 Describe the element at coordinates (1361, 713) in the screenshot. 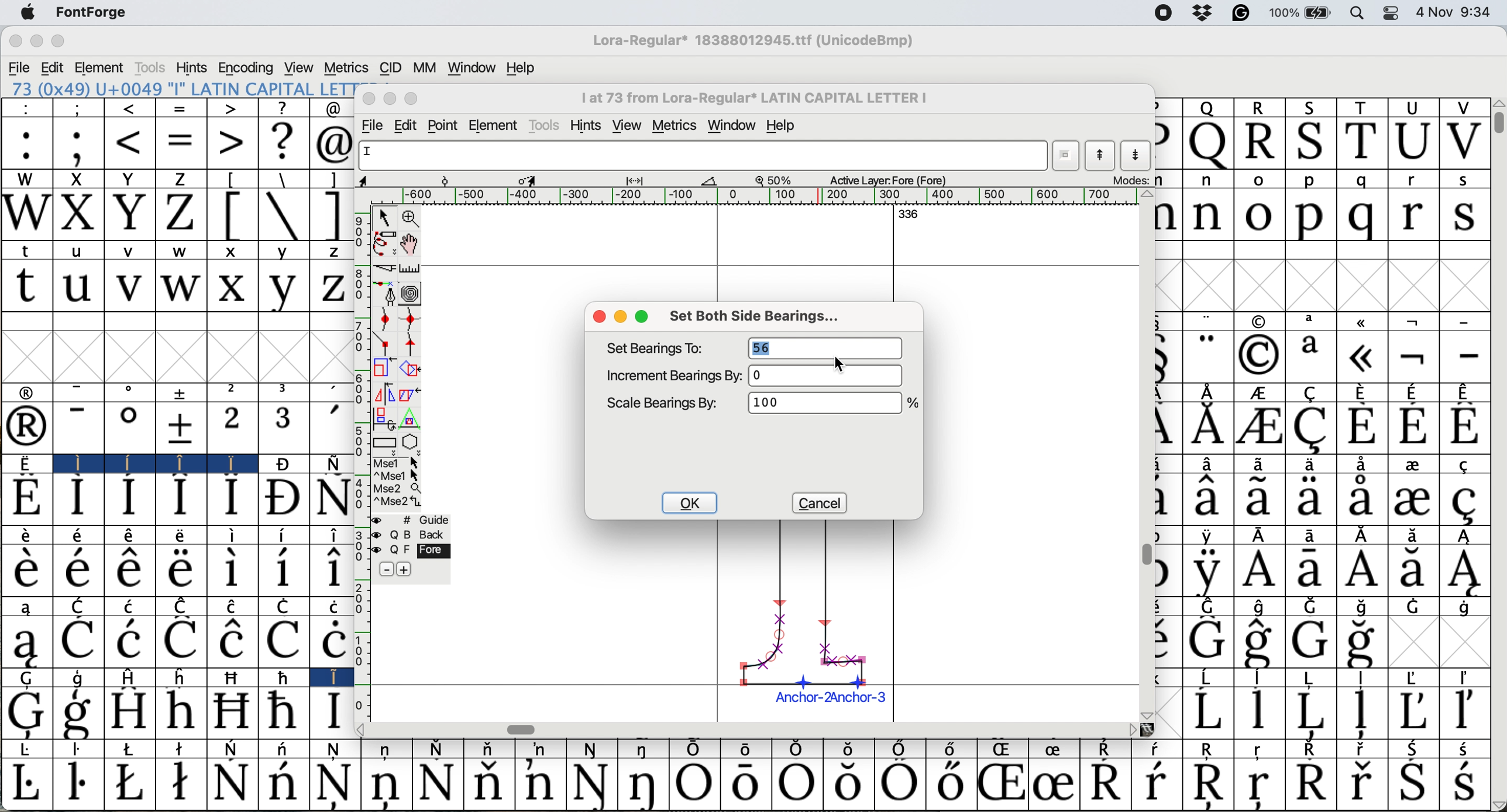

I see `Symbol` at that location.